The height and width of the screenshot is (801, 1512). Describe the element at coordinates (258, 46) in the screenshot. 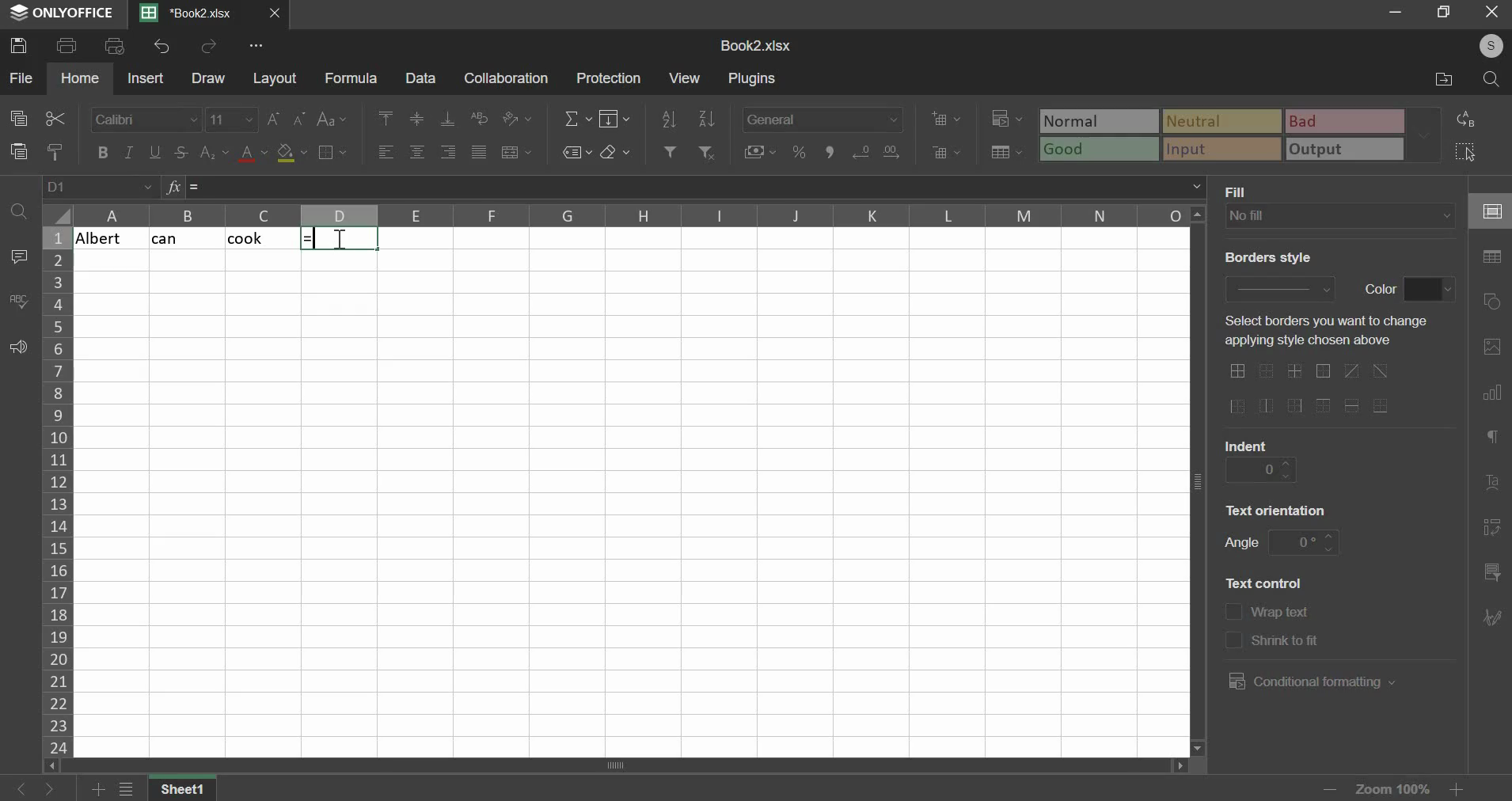

I see `view more` at that location.